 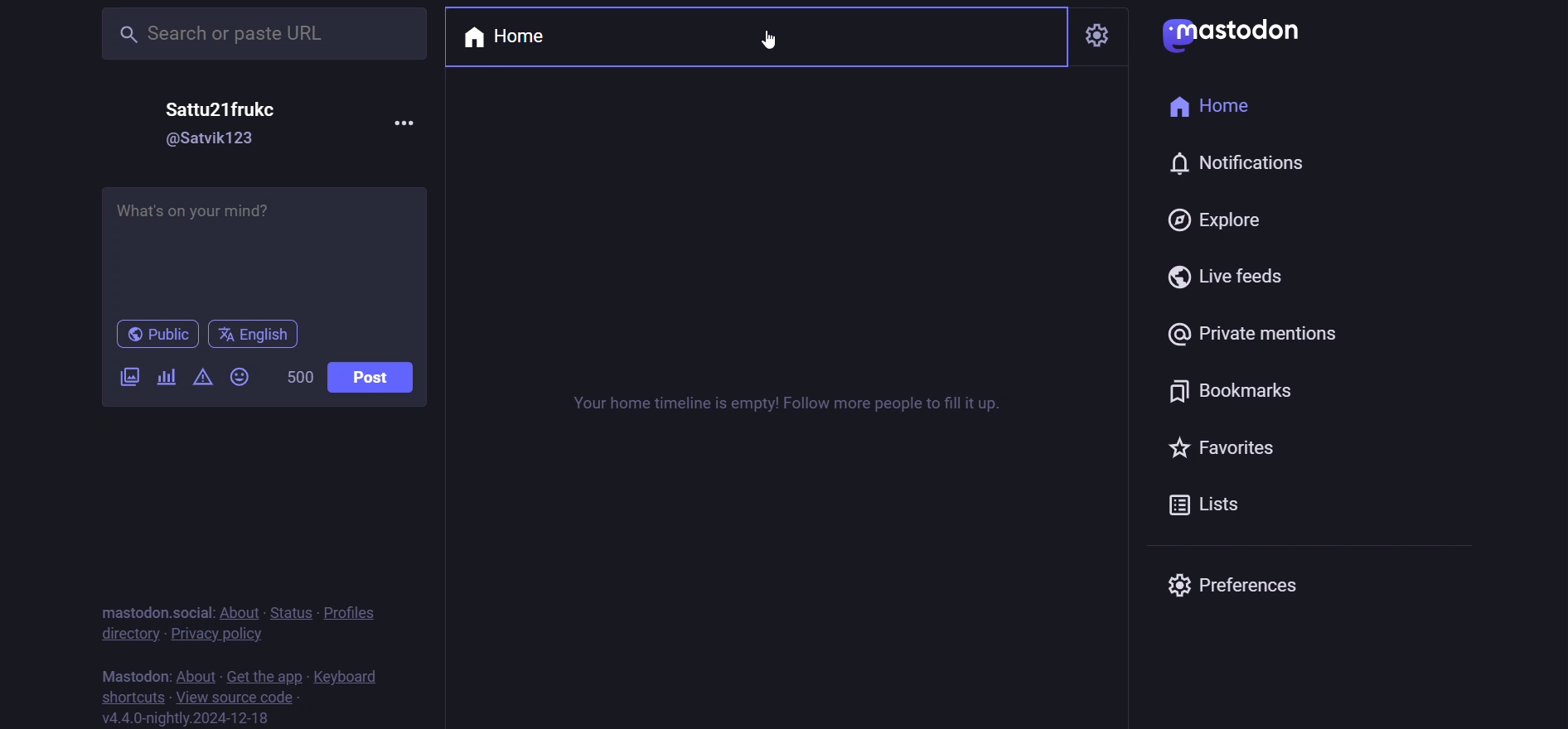 I want to click on about, so click(x=240, y=608).